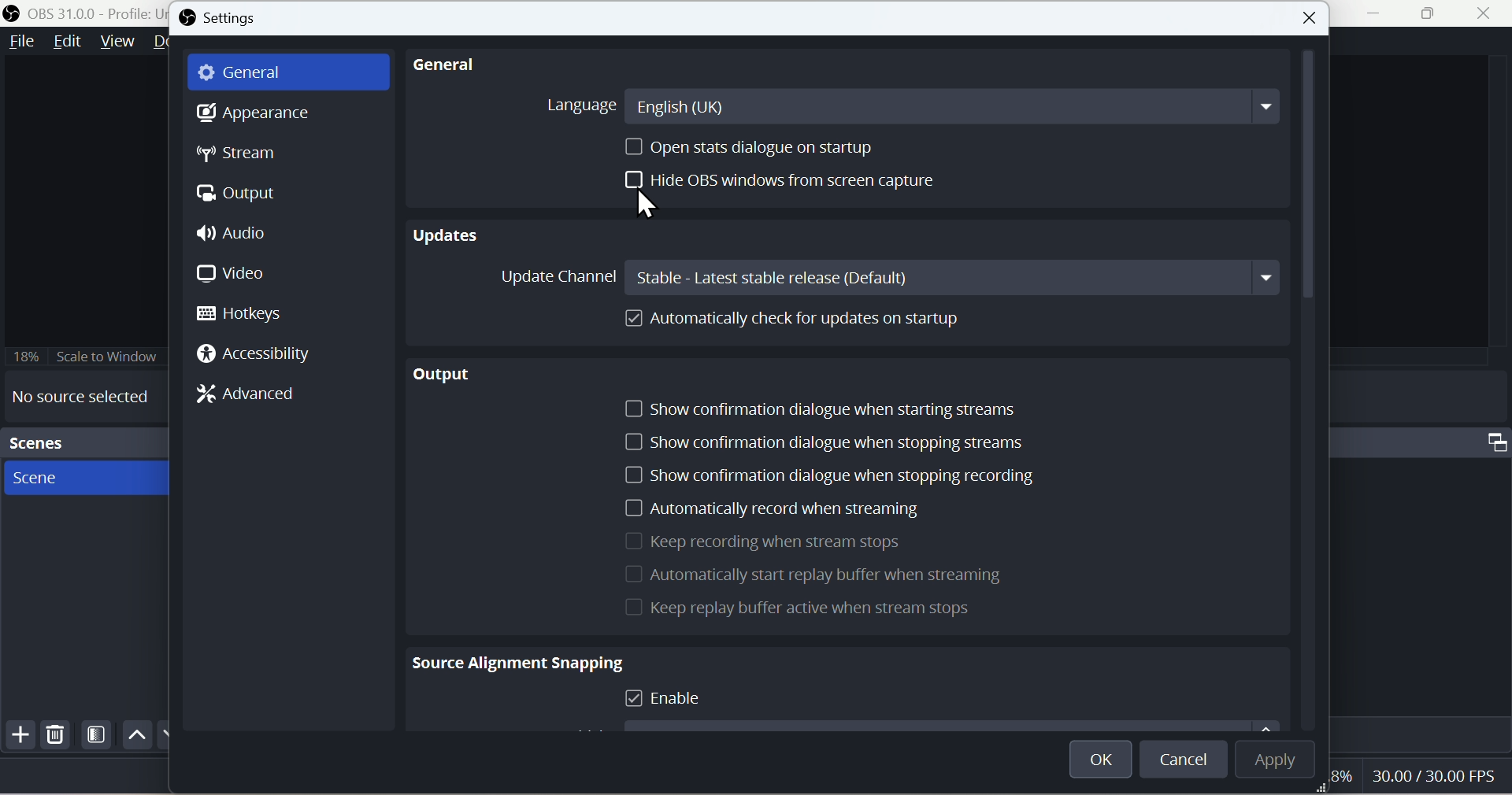 This screenshot has width=1512, height=795. Describe the element at coordinates (790, 326) in the screenshot. I see `Automatically cheque up for updates on startup` at that location.